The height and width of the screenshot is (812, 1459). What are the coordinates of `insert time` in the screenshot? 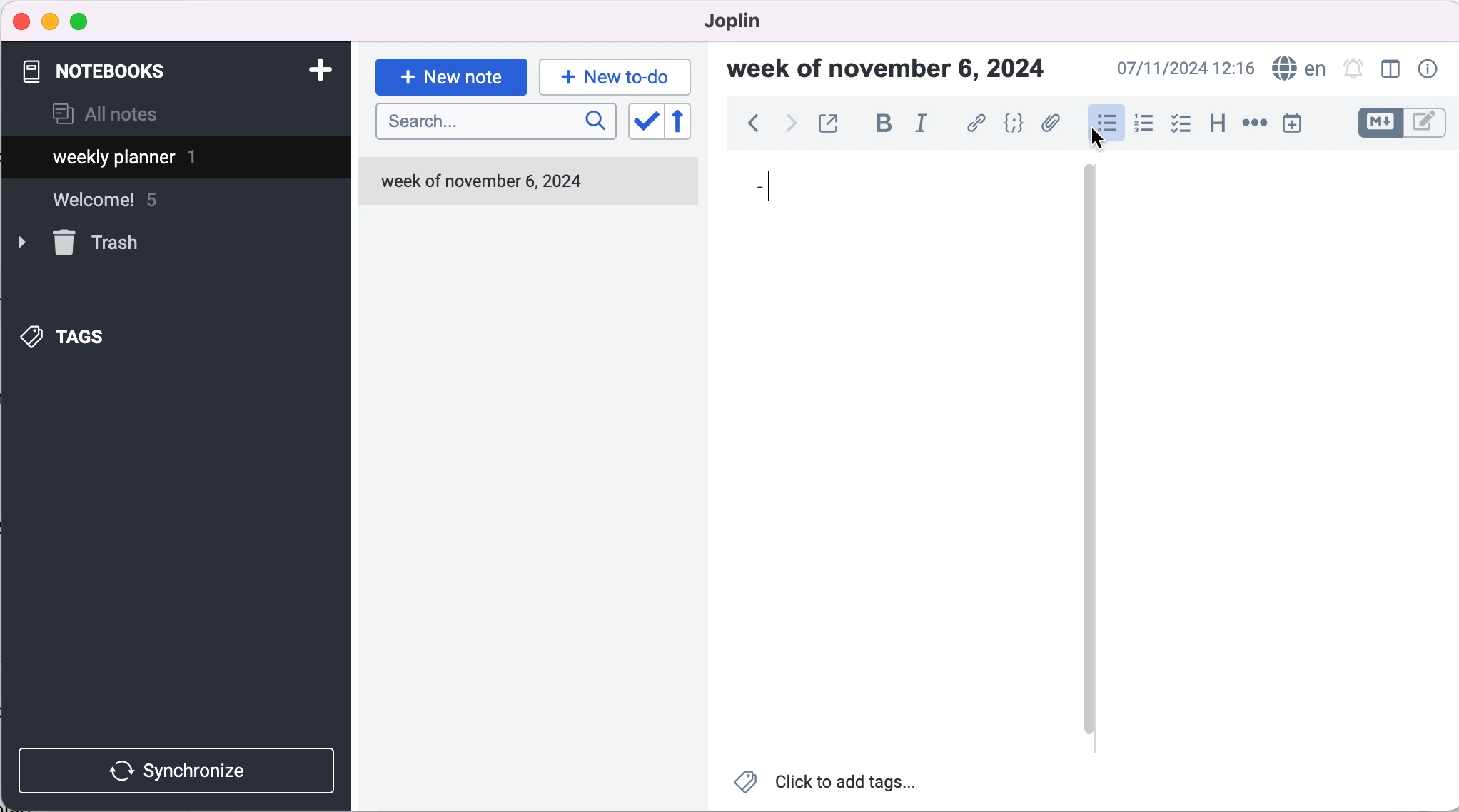 It's located at (1295, 123).